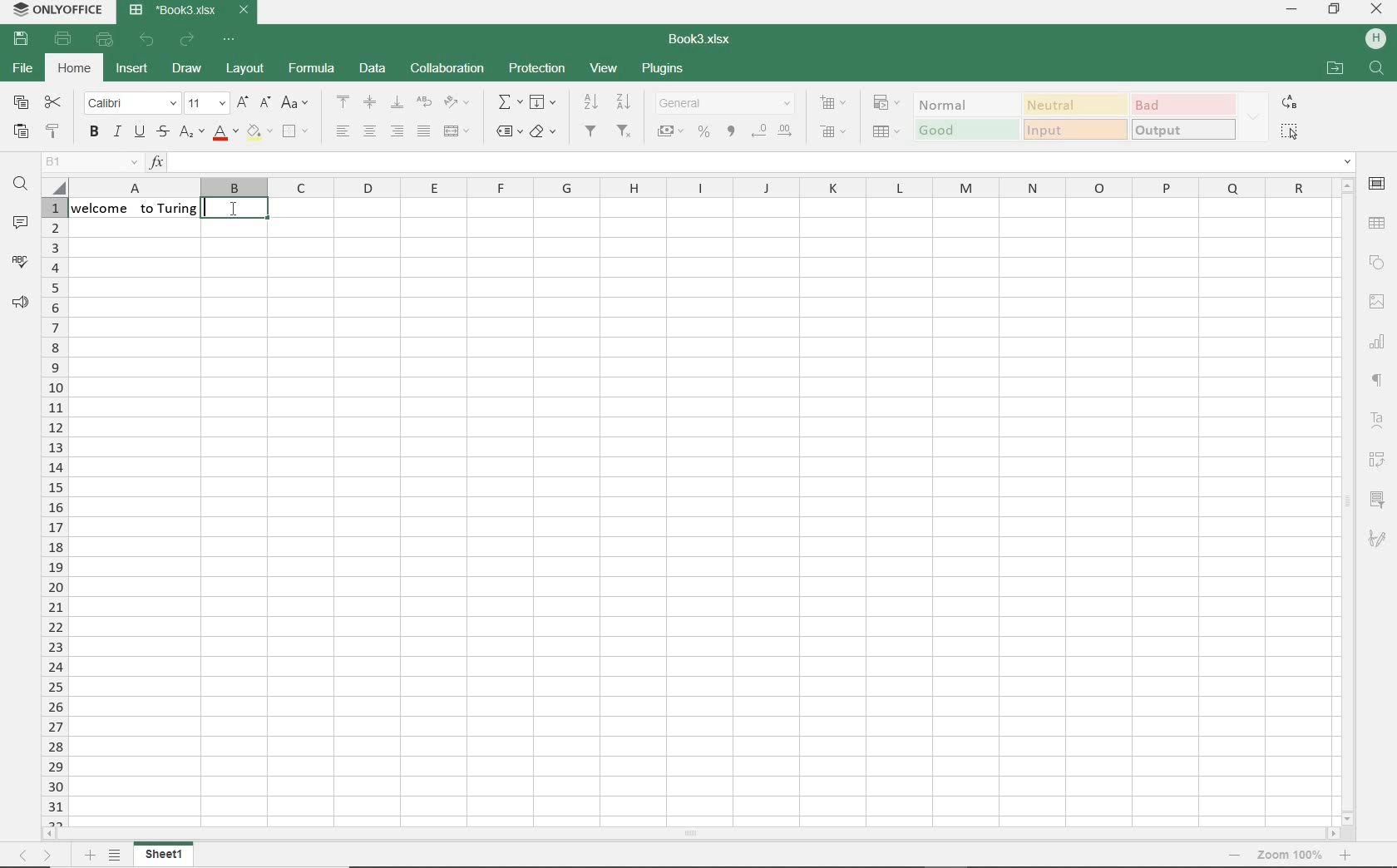 This screenshot has height=868, width=1397. Describe the element at coordinates (1379, 460) in the screenshot. I see `pivot table` at that location.